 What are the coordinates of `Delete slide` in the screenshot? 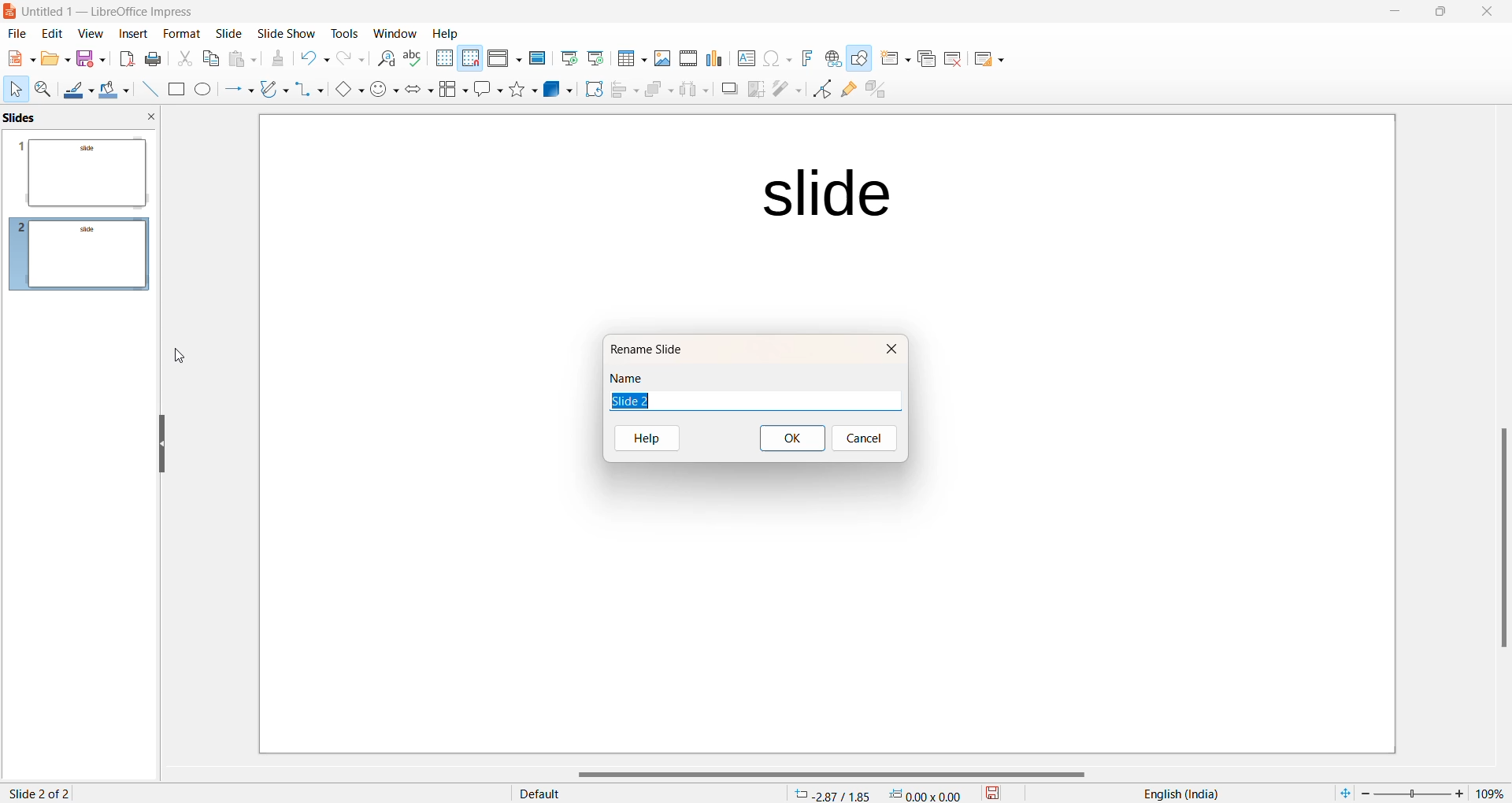 It's located at (956, 58).